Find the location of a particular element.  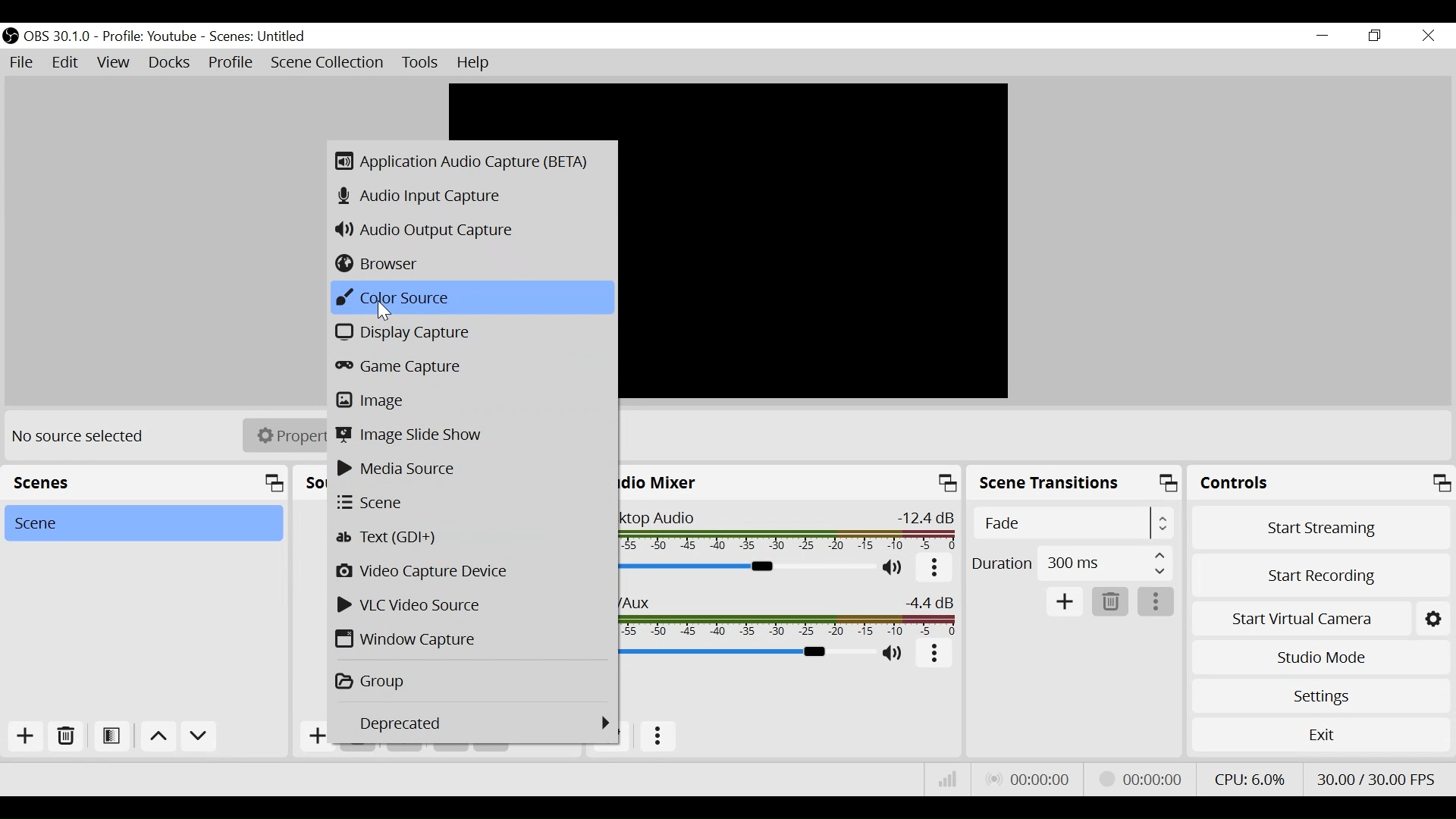

Add is located at coordinates (26, 736).